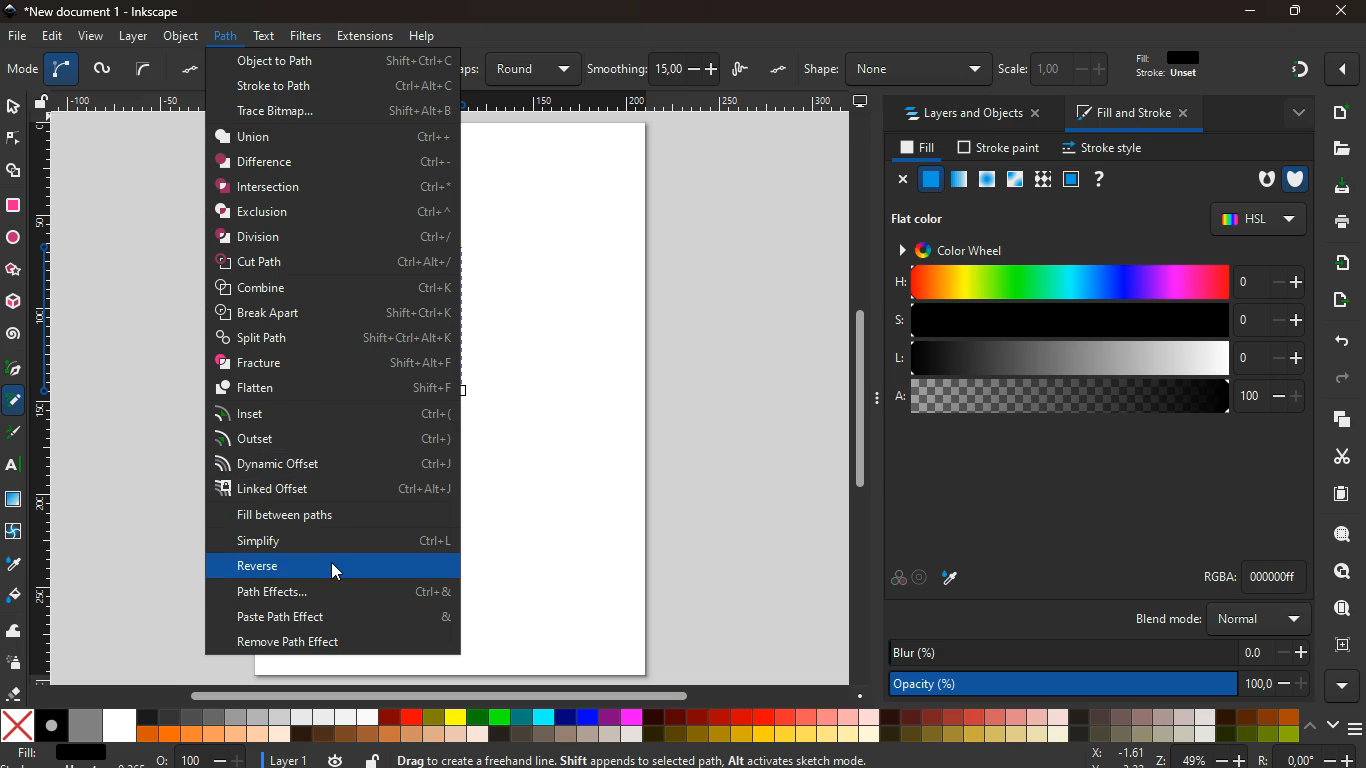 This screenshot has height=768, width=1366. What do you see at coordinates (904, 181) in the screenshot?
I see `close` at bounding box center [904, 181].